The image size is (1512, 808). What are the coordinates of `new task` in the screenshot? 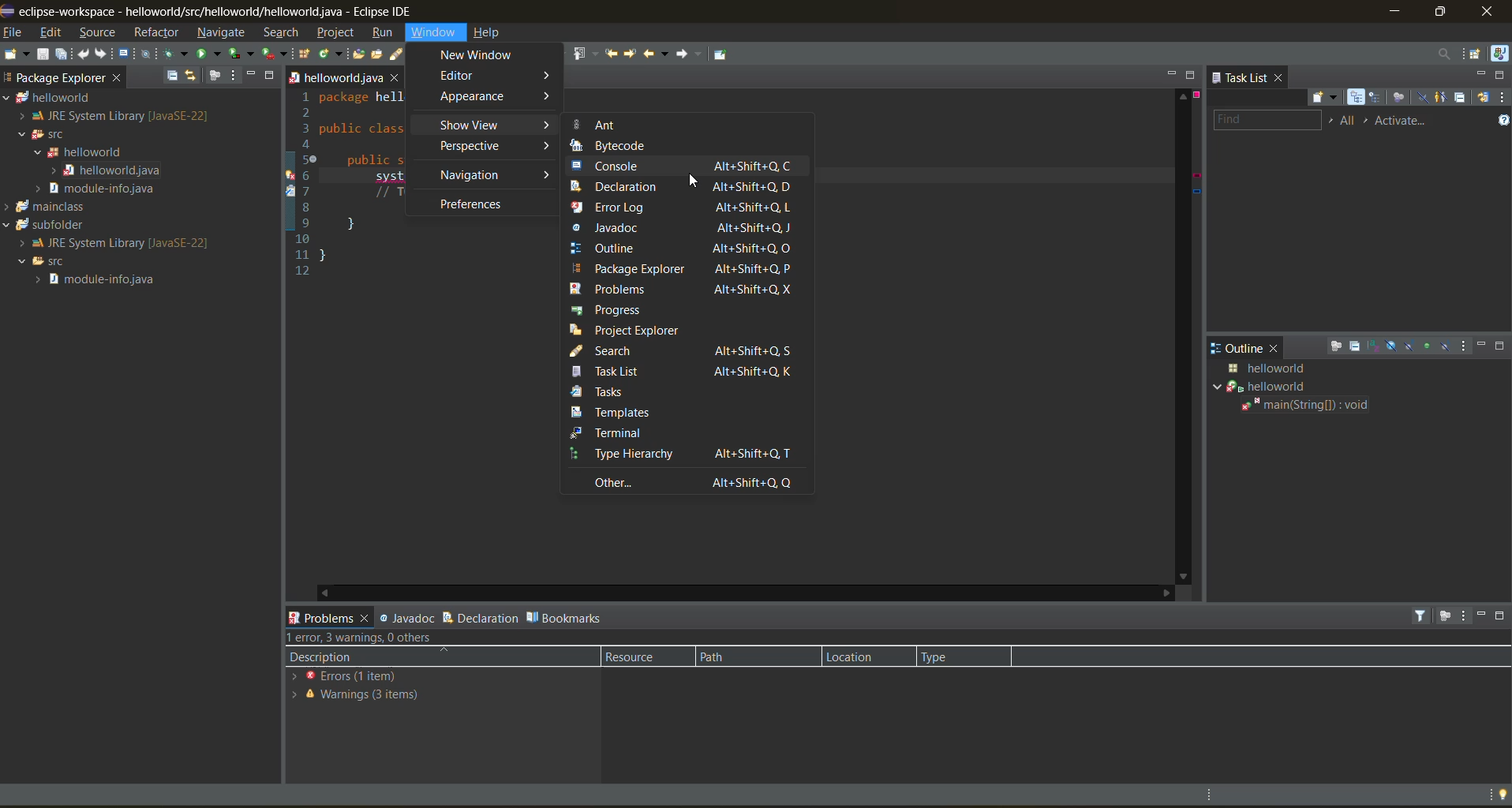 It's located at (1327, 96).